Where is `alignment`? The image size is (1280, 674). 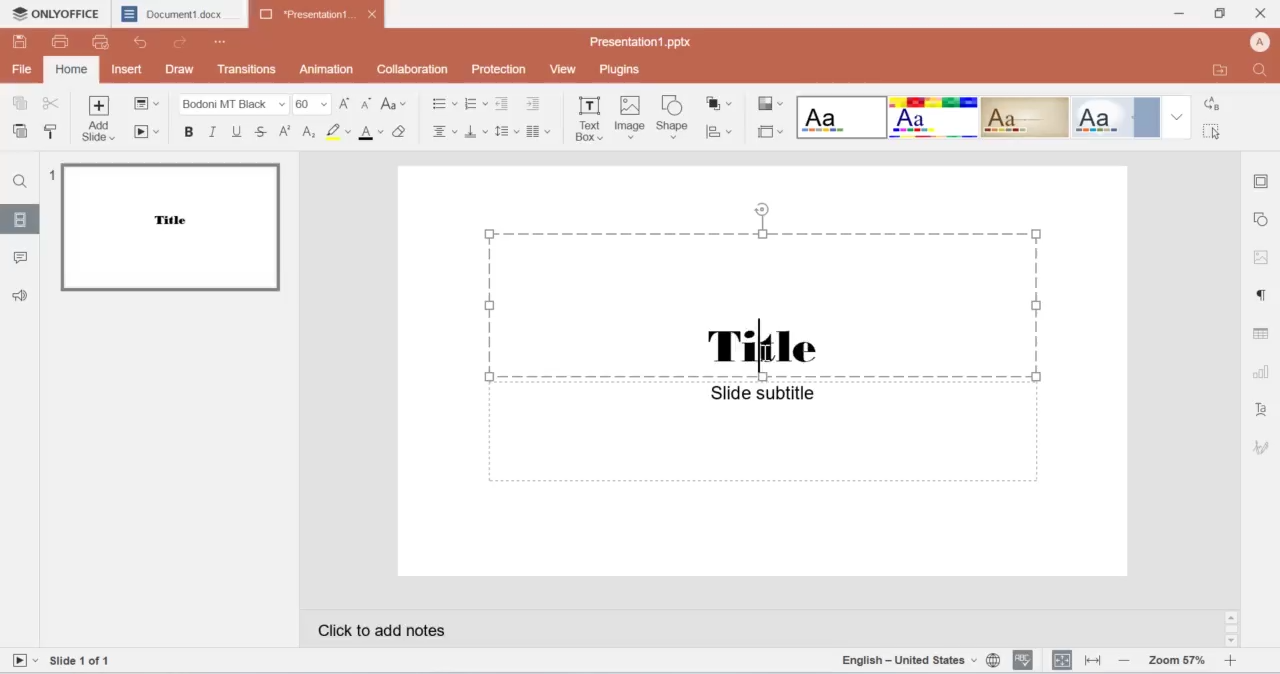
alignment is located at coordinates (443, 132).